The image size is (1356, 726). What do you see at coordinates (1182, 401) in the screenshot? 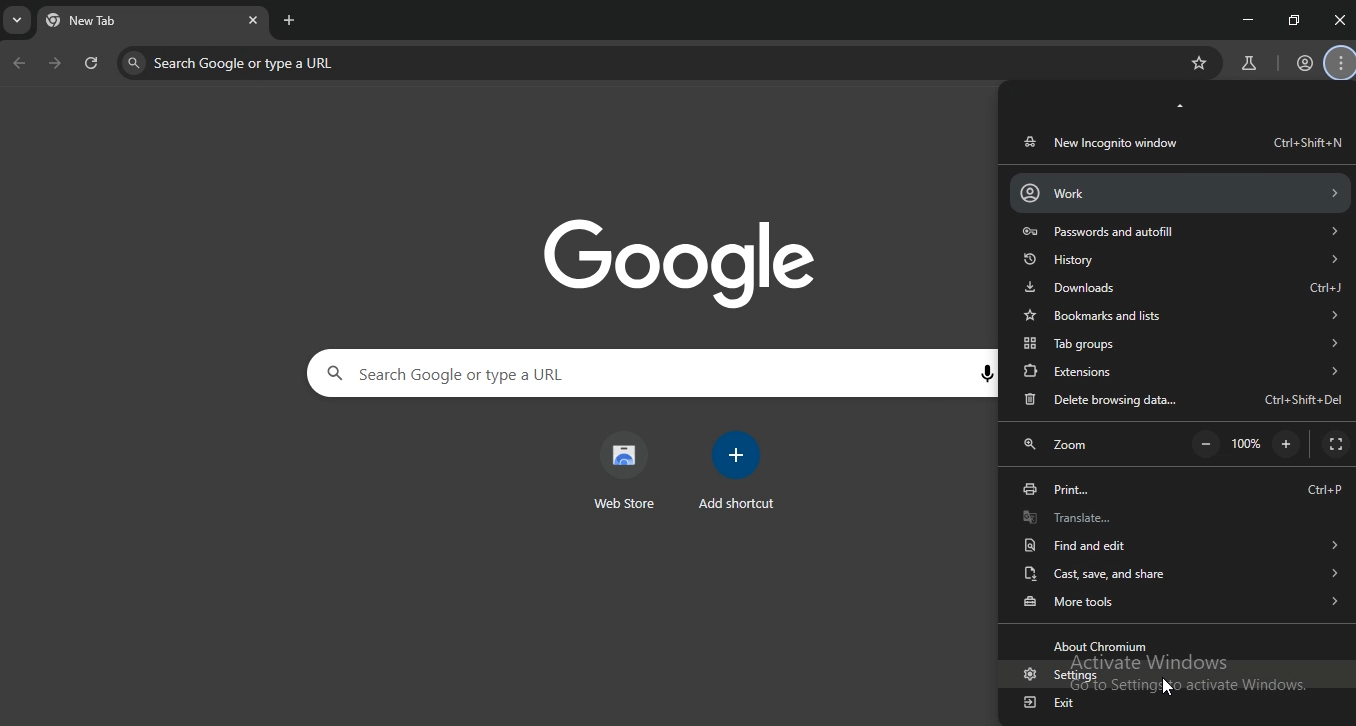
I see `delete browsing data` at bounding box center [1182, 401].